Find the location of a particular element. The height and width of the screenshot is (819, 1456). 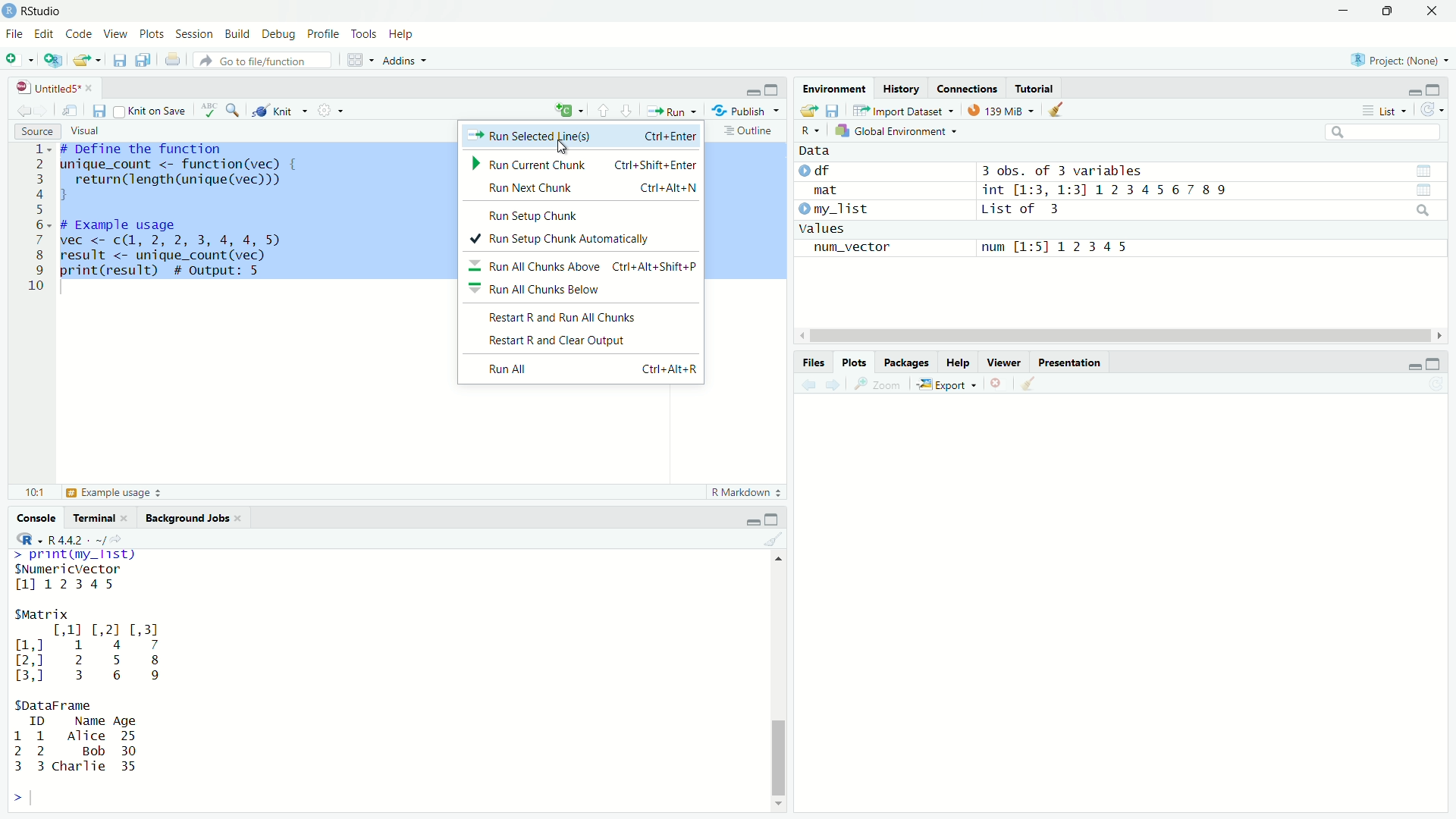

open file is located at coordinates (83, 61).